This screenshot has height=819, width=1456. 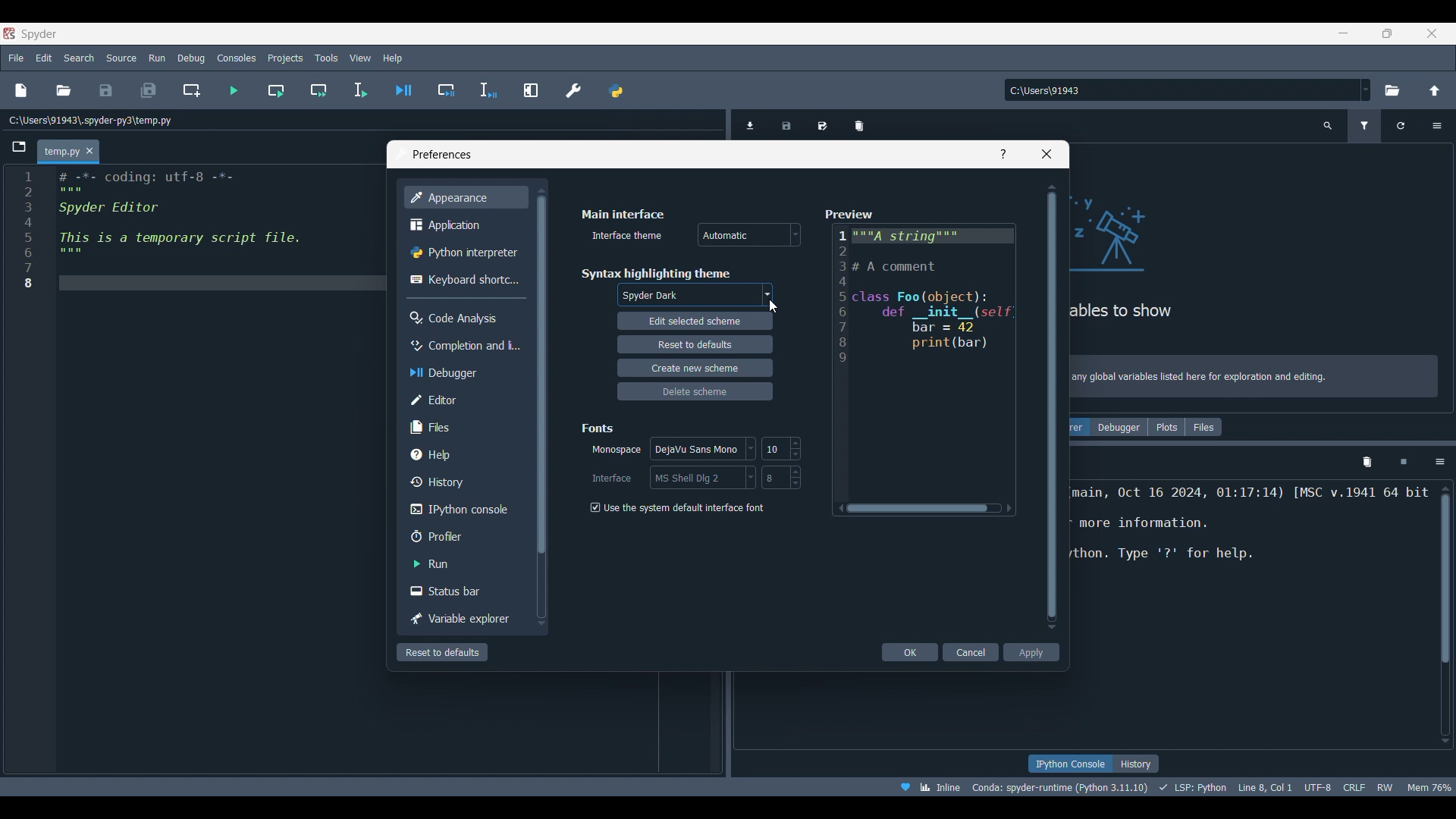 What do you see at coordinates (1435, 90) in the screenshot?
I see `Change to parent directory` at bounding box center [1435, 90].